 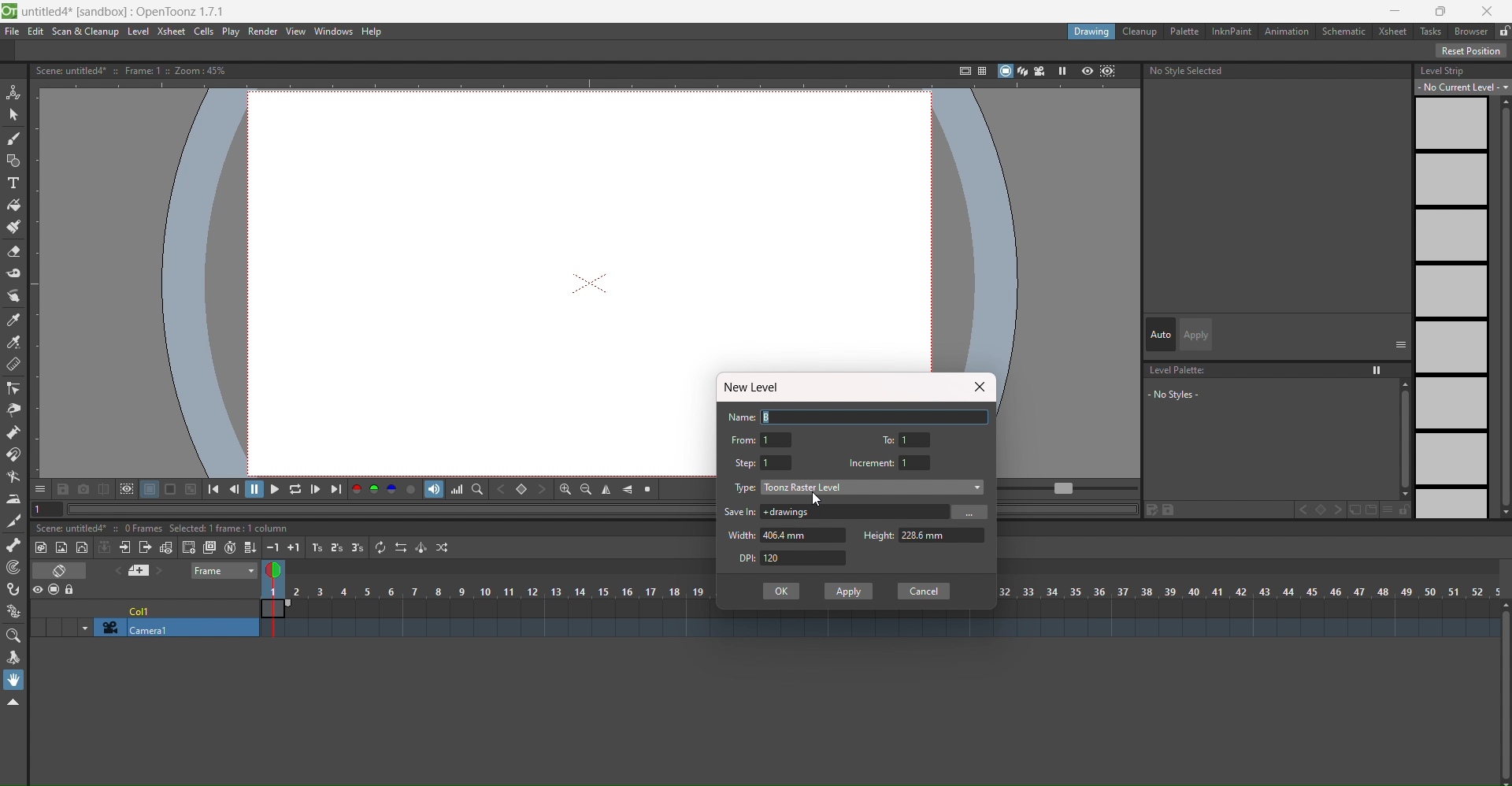 I want to click on play, so click(x=232, y=32).